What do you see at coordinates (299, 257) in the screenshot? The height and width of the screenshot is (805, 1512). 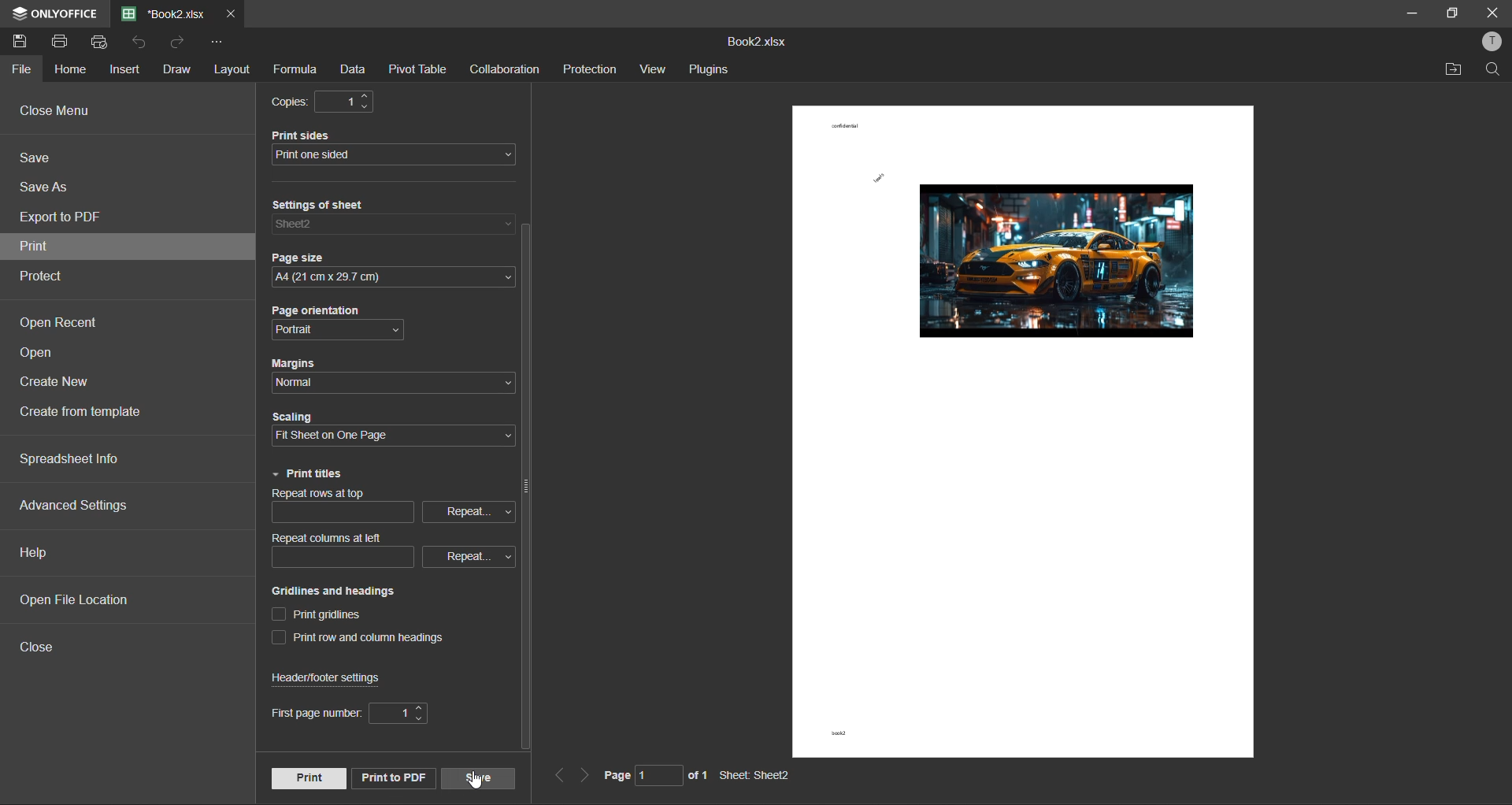 I see `Page size` at bounding box center [299, 257].